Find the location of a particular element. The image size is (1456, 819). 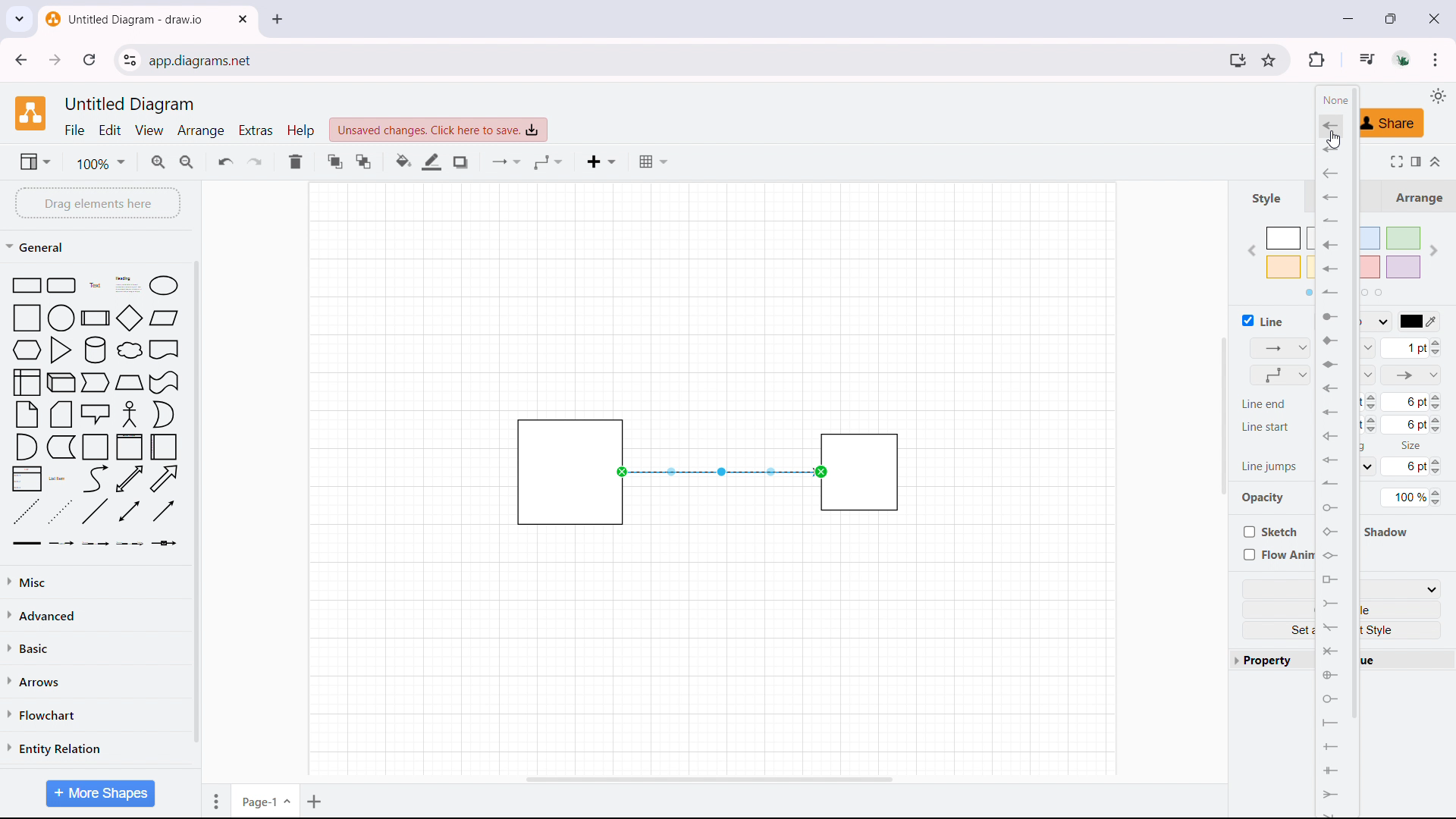

connector selected is located at coordinates (719, 472).